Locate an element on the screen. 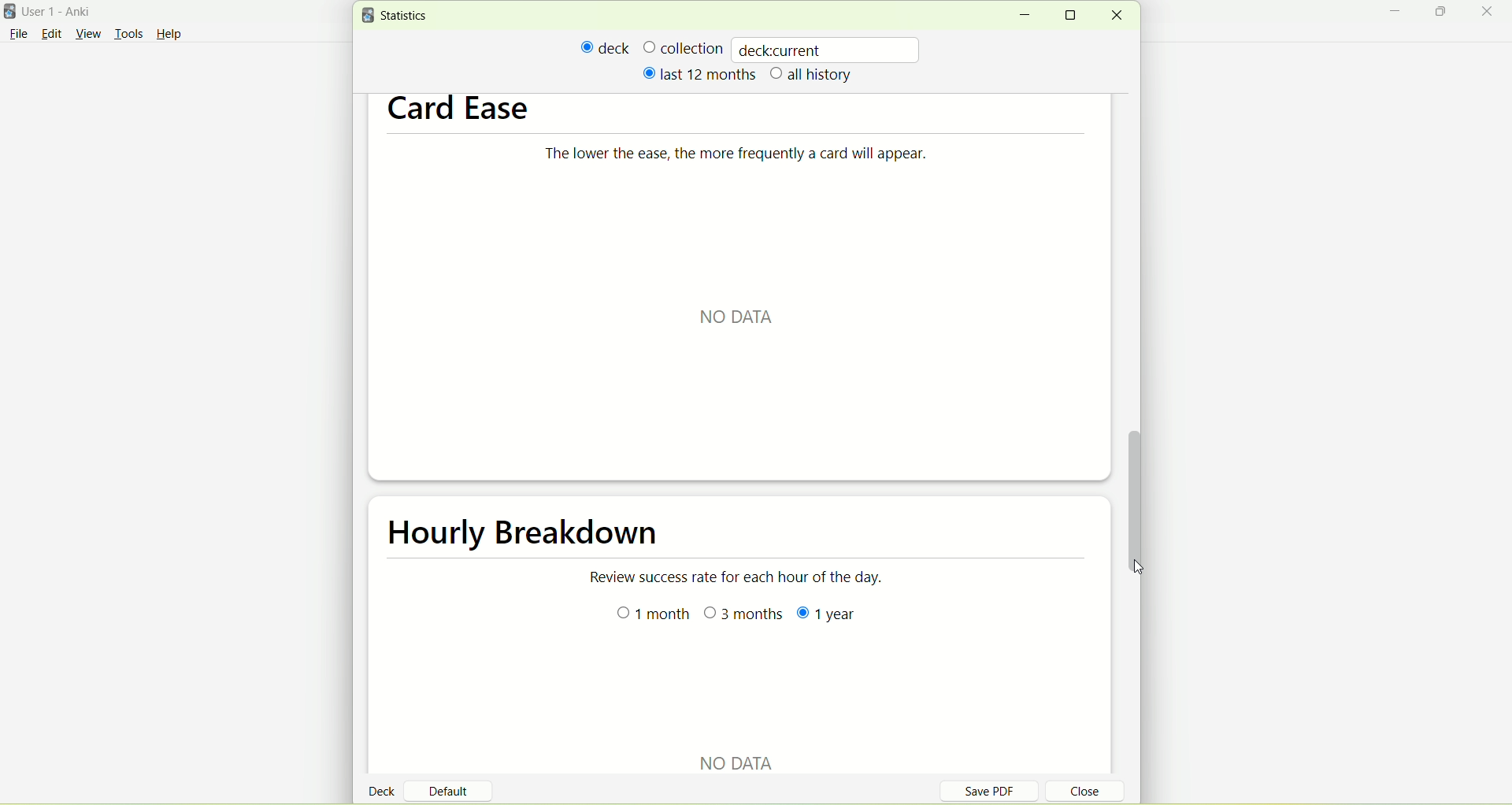 Image resolution: width=1512 pixels, height=805 pixels. last 12 months is located at coordinates (698, 73).